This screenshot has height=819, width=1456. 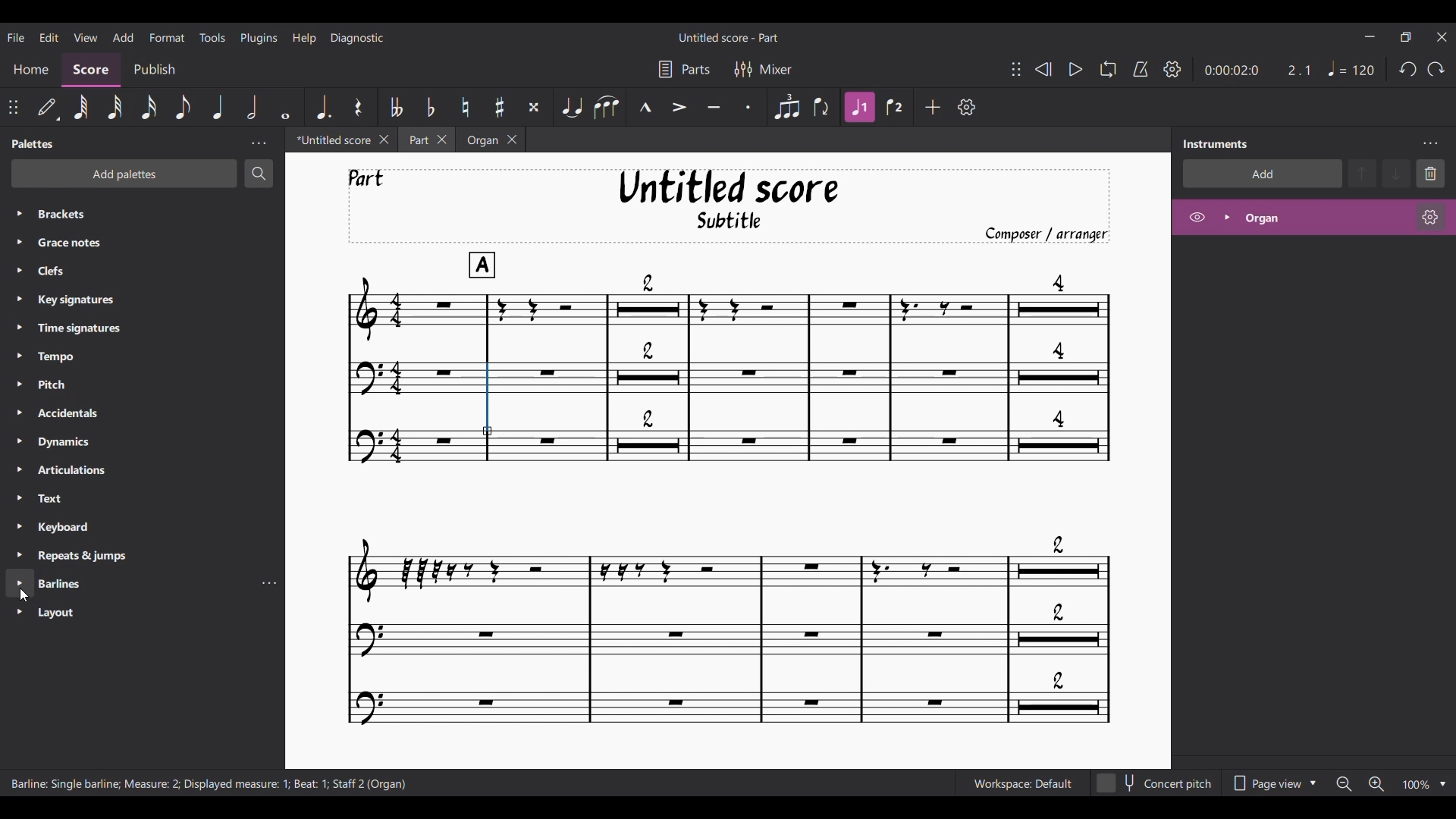 I want to click on Voice 2, so click(x=893, y=107).